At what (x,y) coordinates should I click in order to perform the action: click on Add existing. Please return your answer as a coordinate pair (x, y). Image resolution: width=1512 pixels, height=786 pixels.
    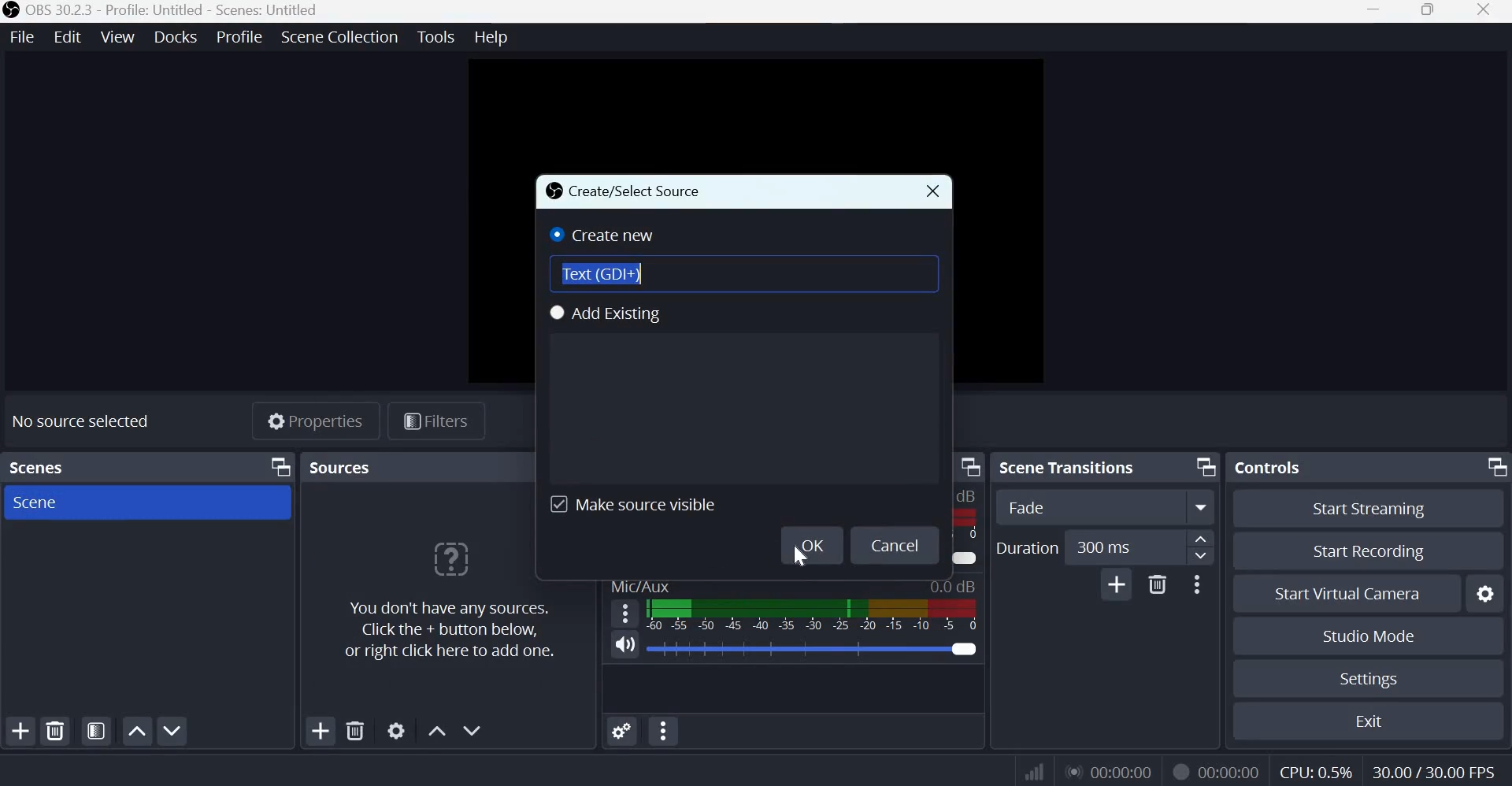
    Looking at the image, I should click on (608, 313).